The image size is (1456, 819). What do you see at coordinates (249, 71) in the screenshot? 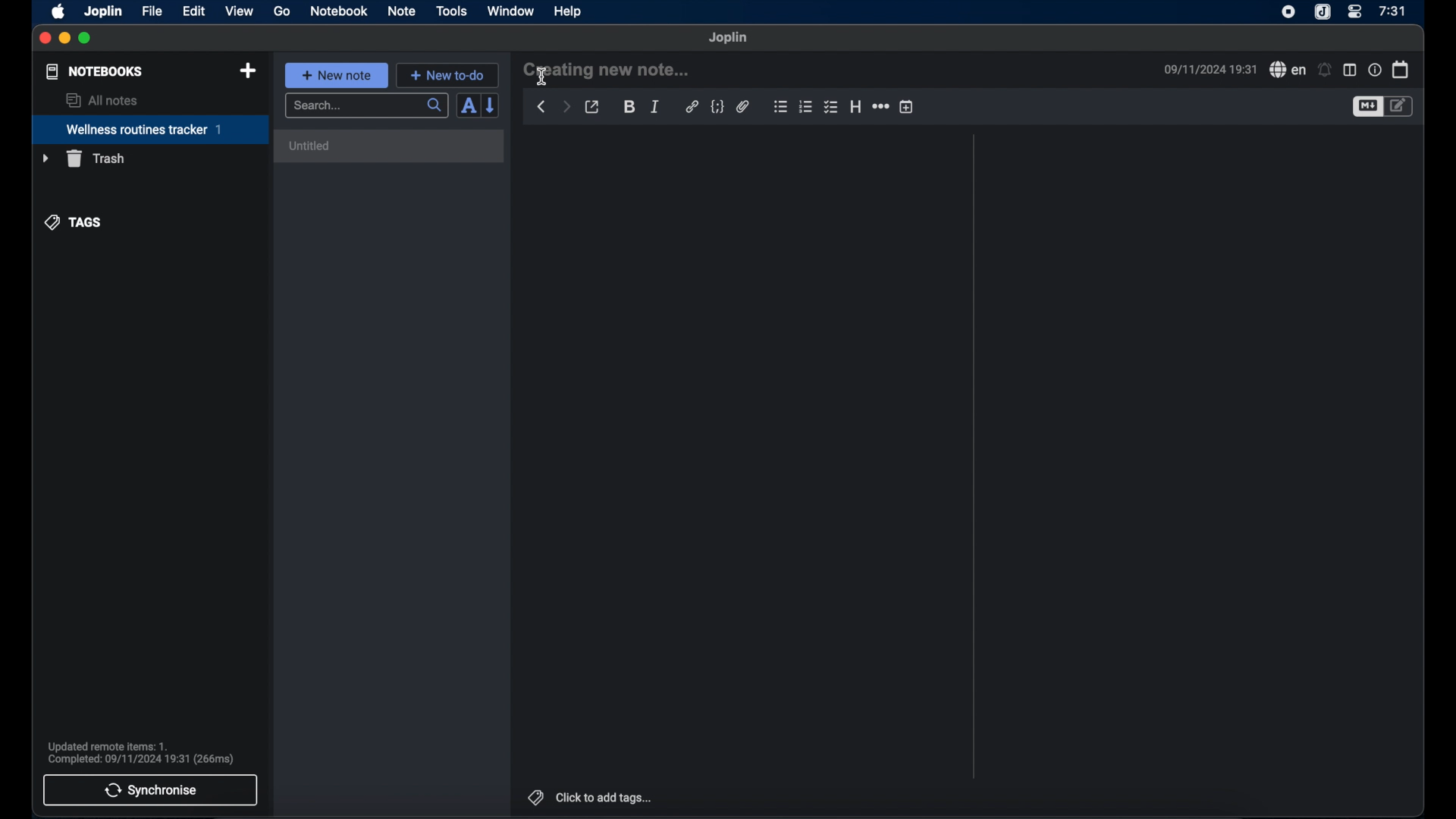
I see `new notebook` at bounding box center [249, 71].